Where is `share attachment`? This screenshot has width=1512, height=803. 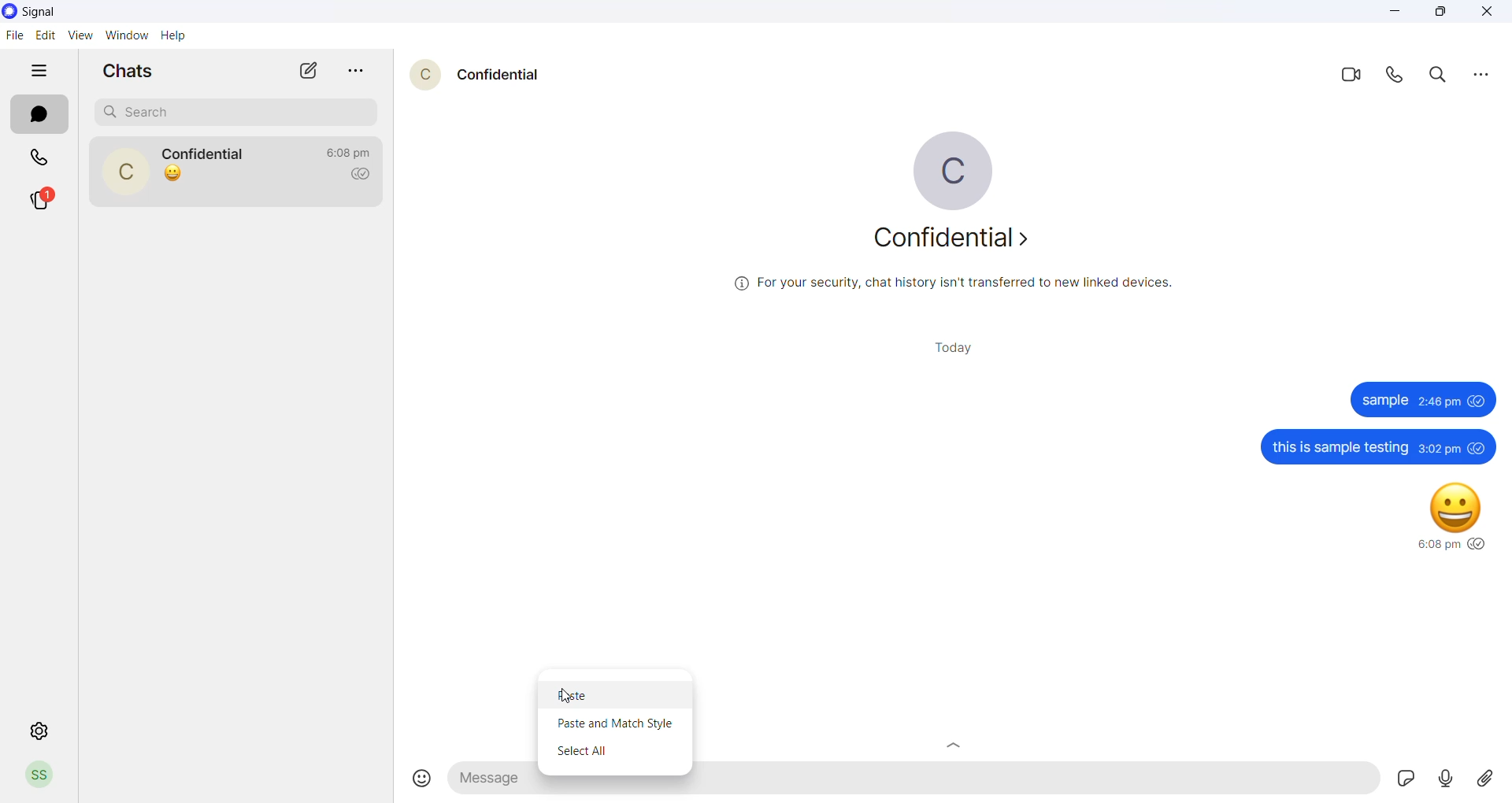
share attachment is located at coordinates (1492, 779).